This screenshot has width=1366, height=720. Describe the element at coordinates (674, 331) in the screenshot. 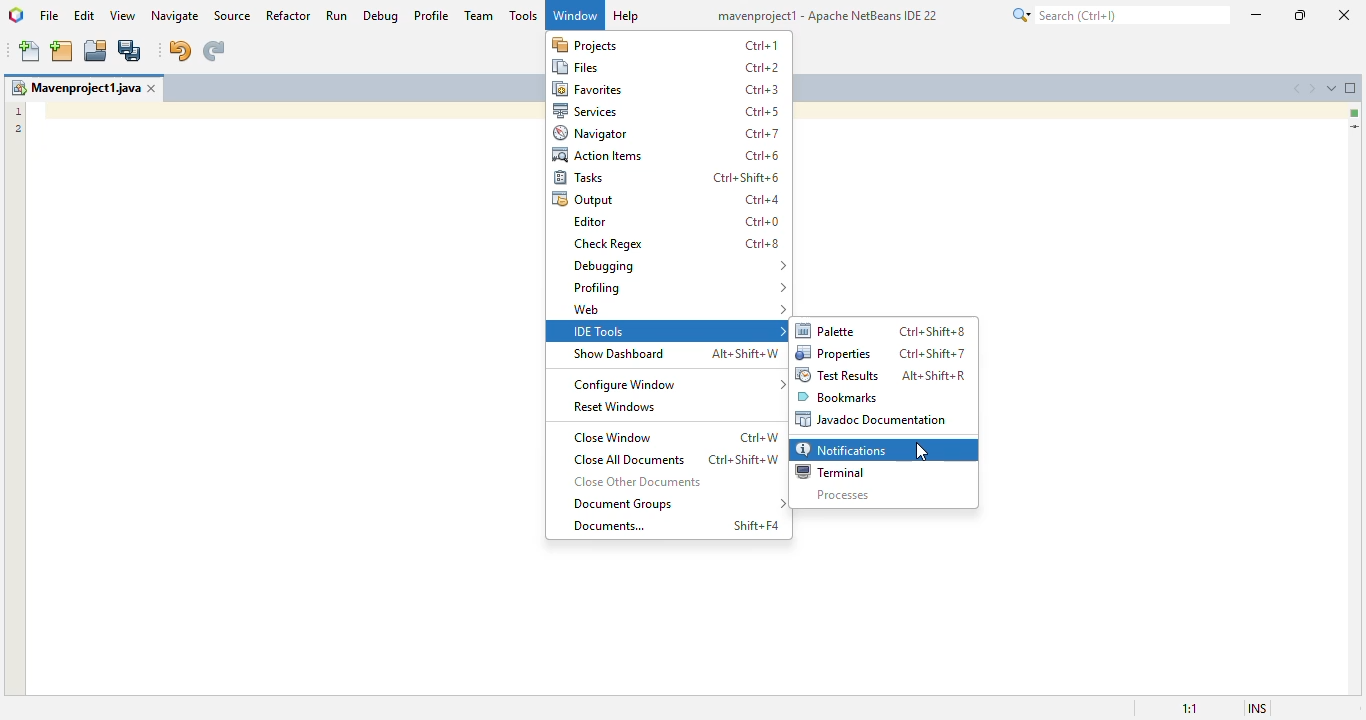

I see `IDE tools` at that location.